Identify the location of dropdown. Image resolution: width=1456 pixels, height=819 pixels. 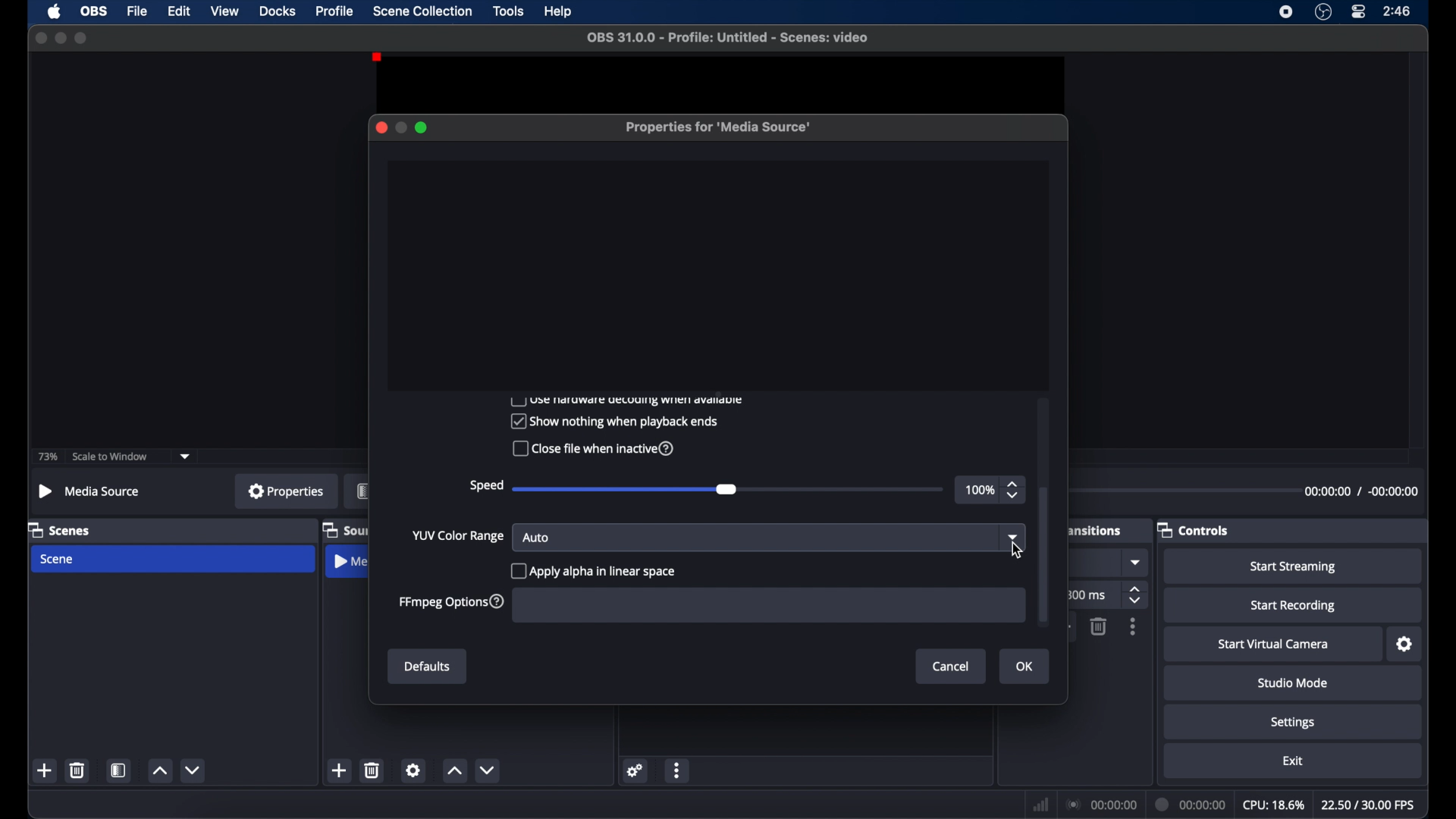
(1137, 563).